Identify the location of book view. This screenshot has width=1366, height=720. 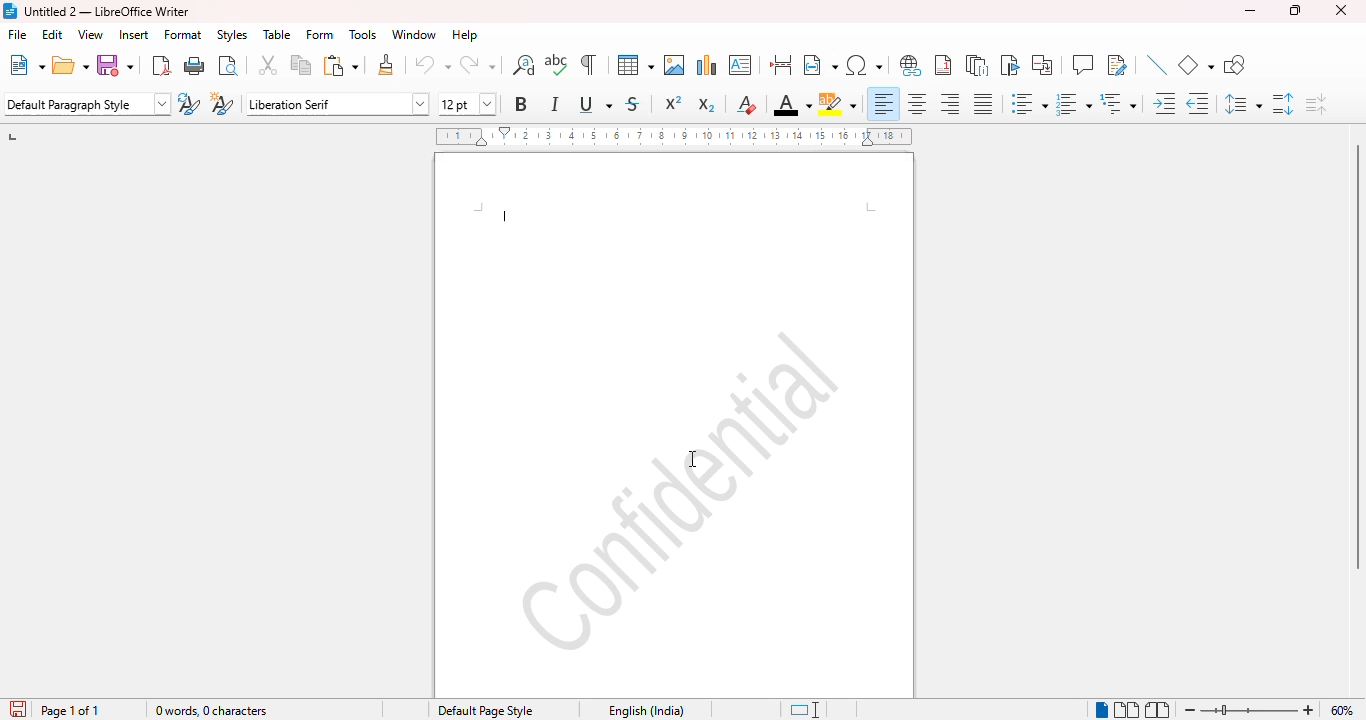
(1157, 710).